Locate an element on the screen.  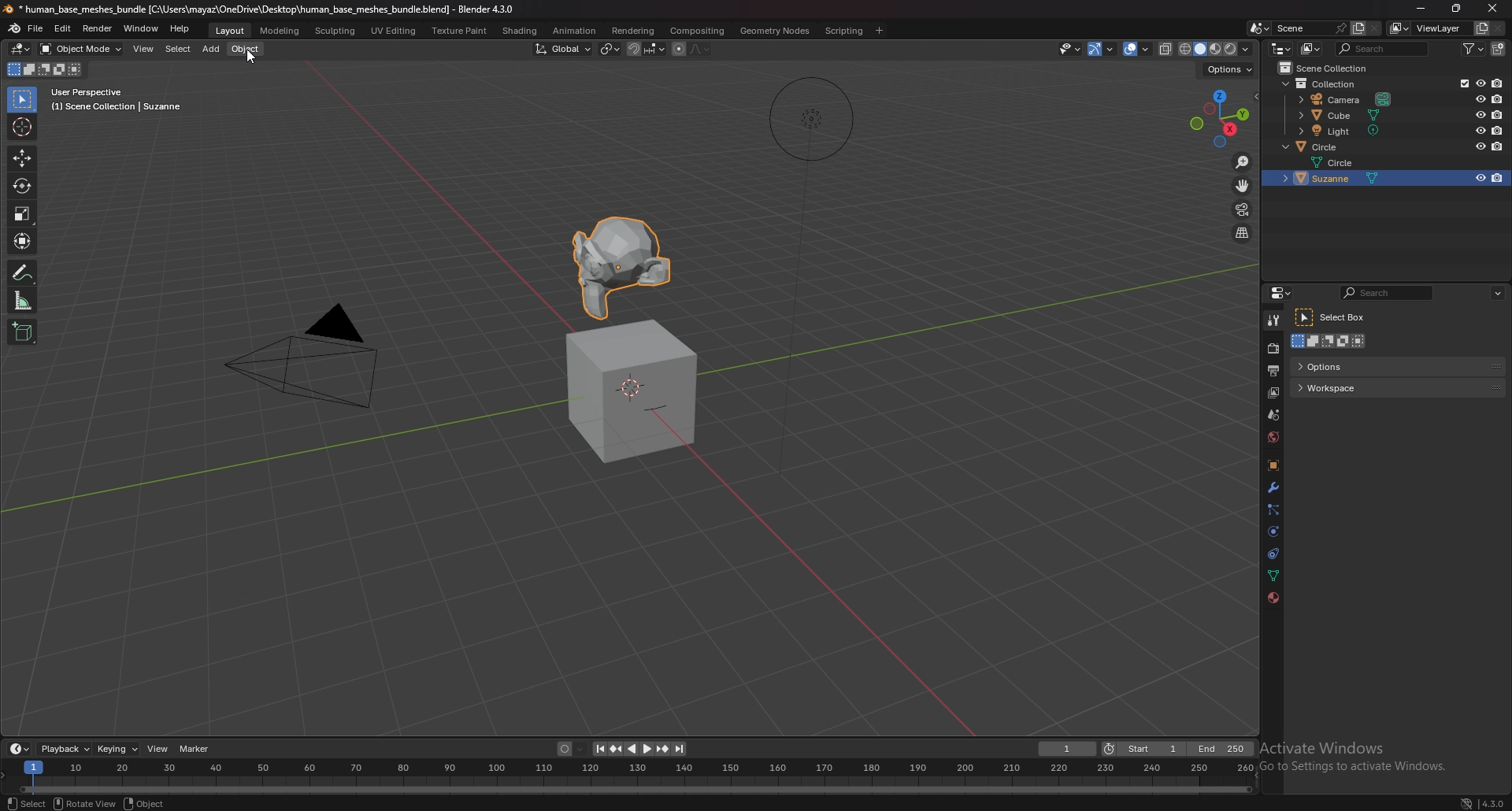
scene is located at coordinates (1296, 28).